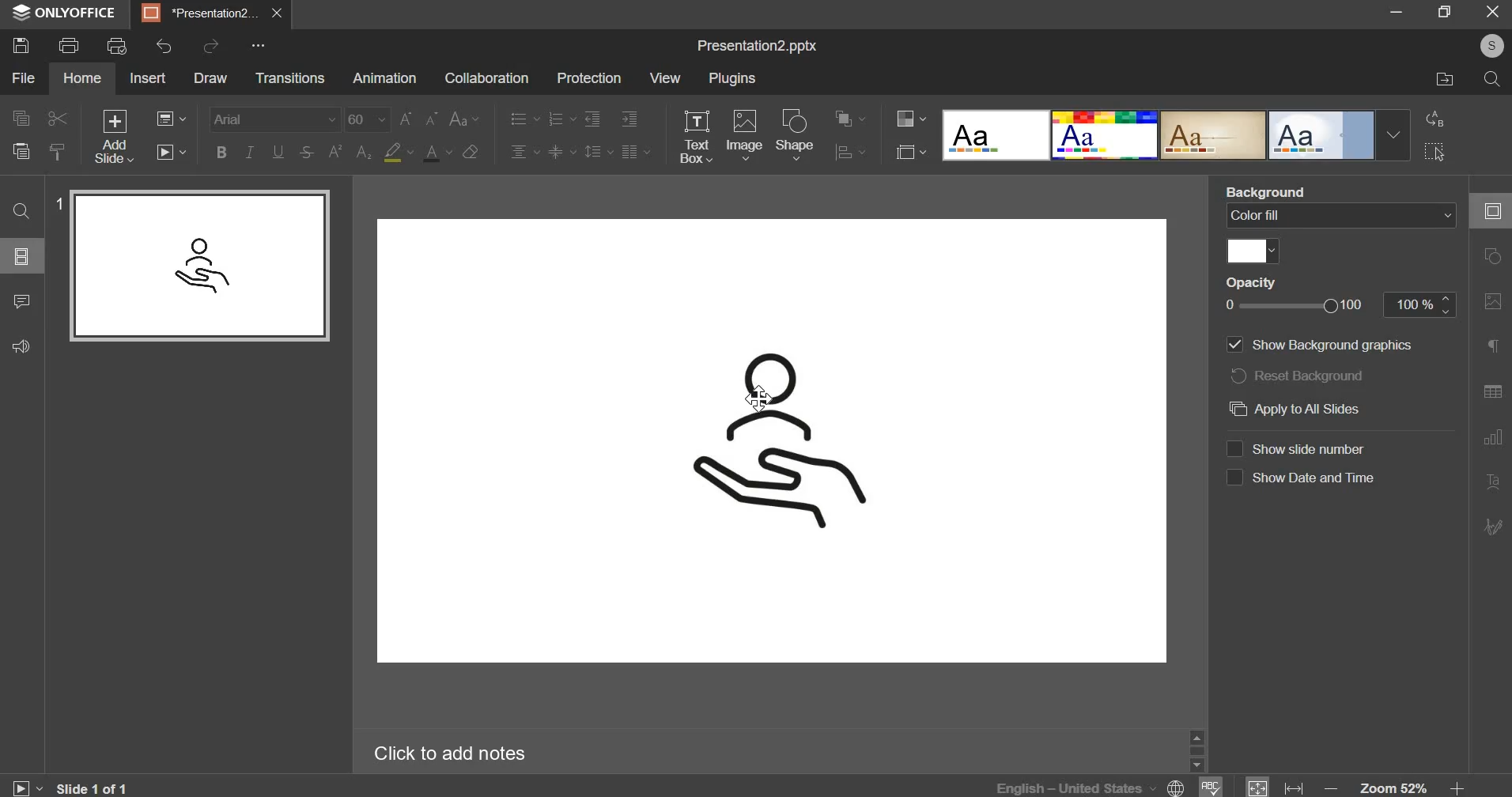 Image resolution: width=1512 pixels, height=797 pixels. What do you see at coordinates (212, 45) in the screenshot?
I see `redo` at bounding box center [212, 45].